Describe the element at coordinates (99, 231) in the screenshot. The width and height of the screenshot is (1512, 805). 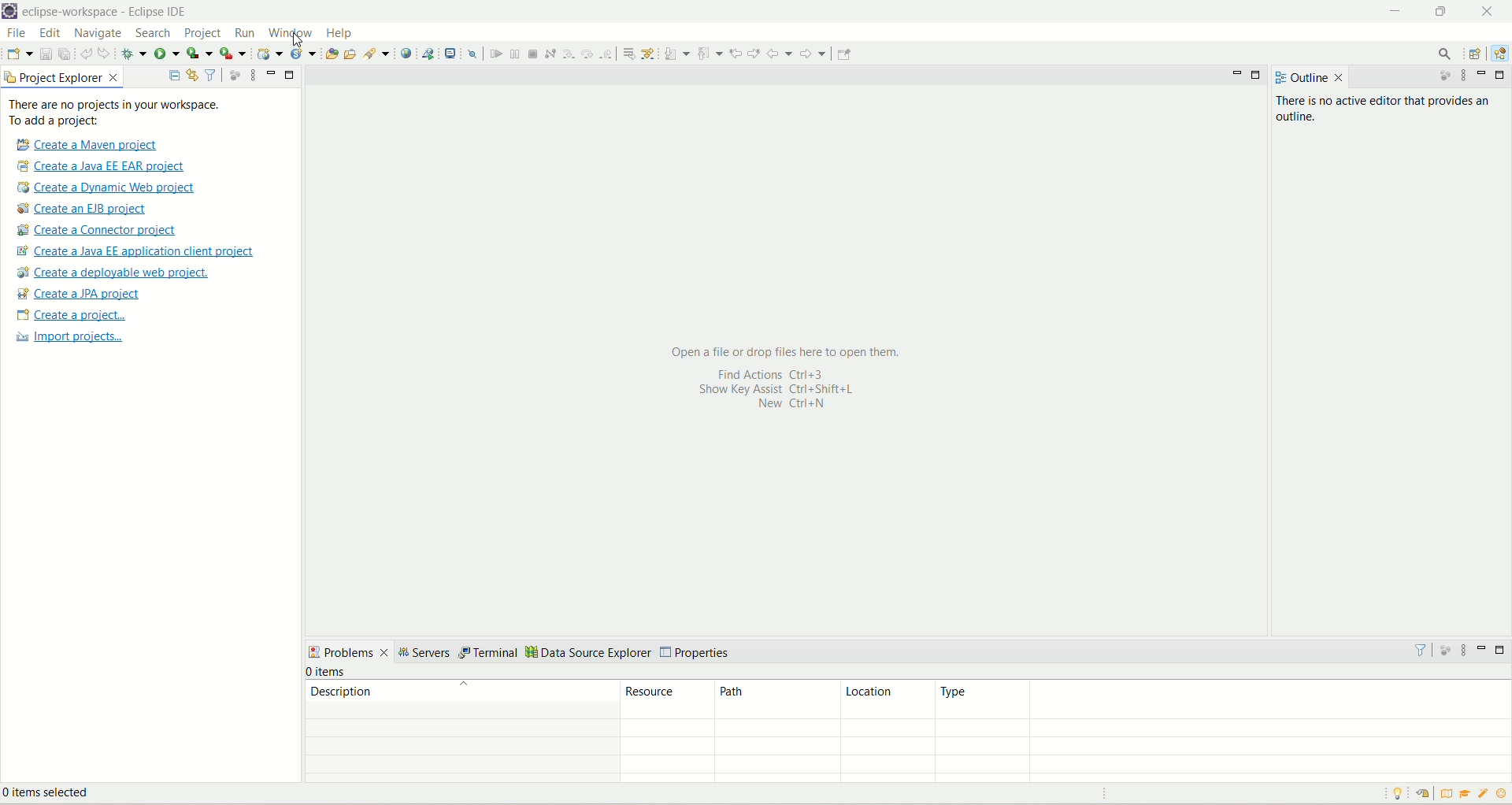
I see `create a connector project` at that location.